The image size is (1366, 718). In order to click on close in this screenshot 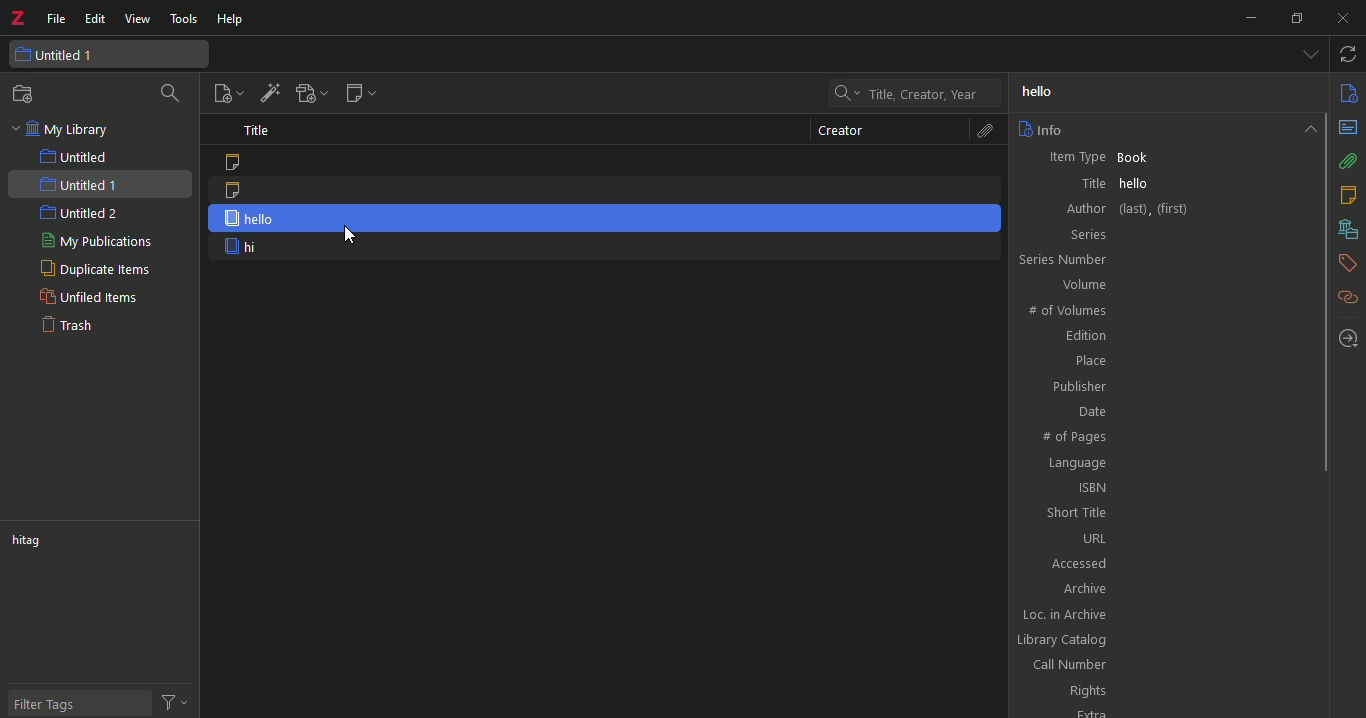, I will do `click(1343, 19)`.